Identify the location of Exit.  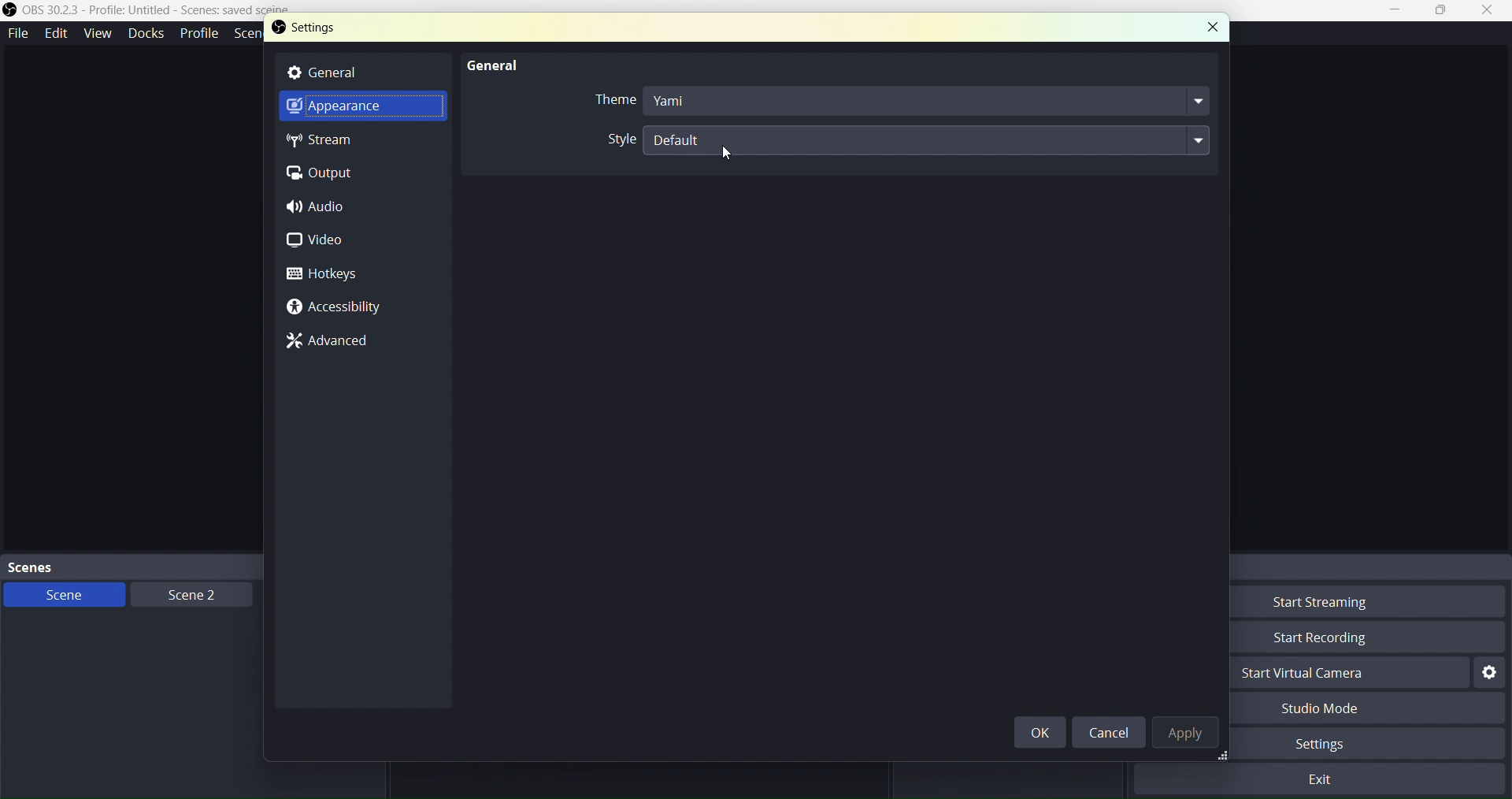
(1325, 779).